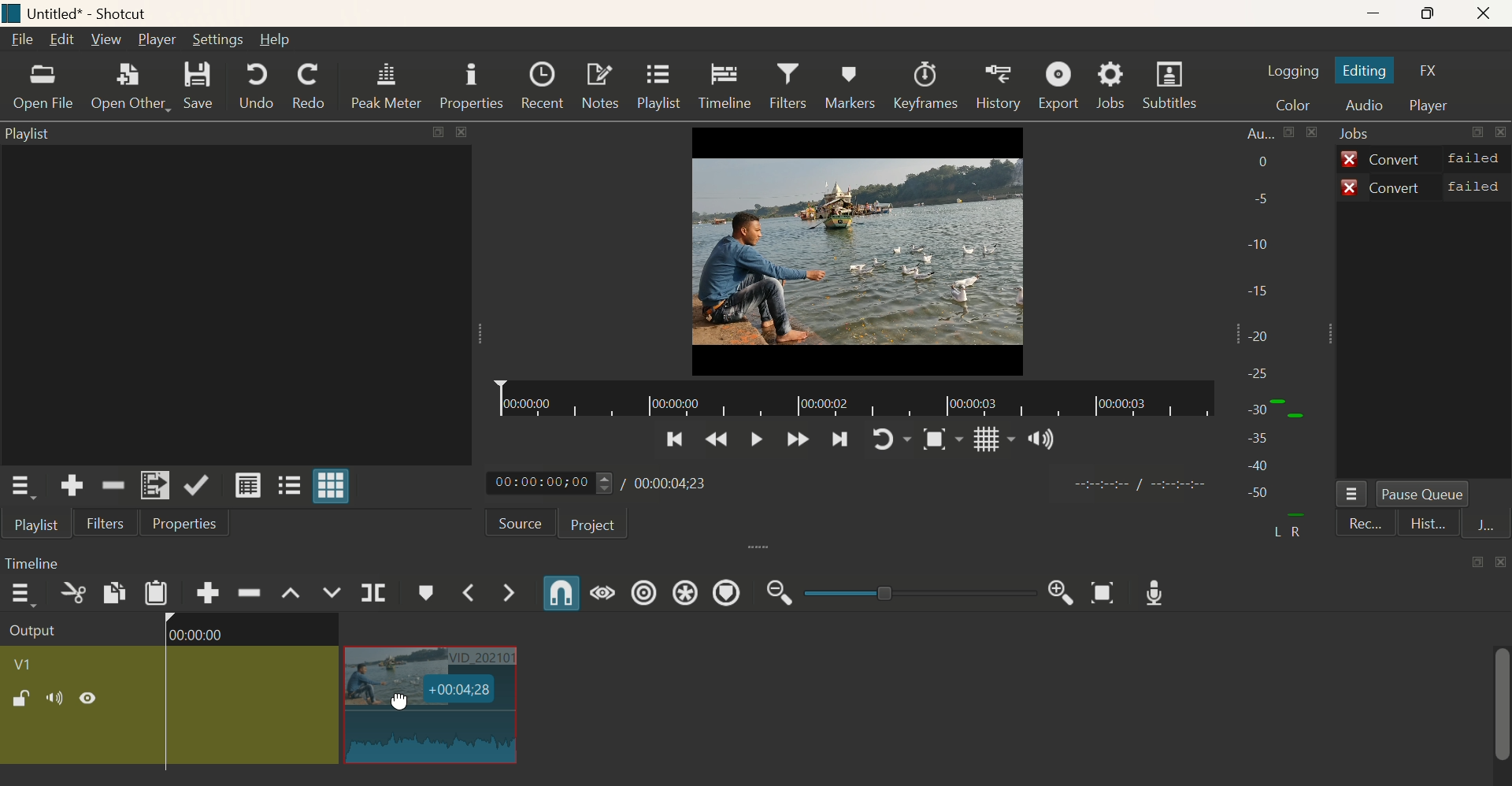  What do you see at coordinates (211, 87) in the screenshot?
I see `Save` at bounding box center [211, 87].